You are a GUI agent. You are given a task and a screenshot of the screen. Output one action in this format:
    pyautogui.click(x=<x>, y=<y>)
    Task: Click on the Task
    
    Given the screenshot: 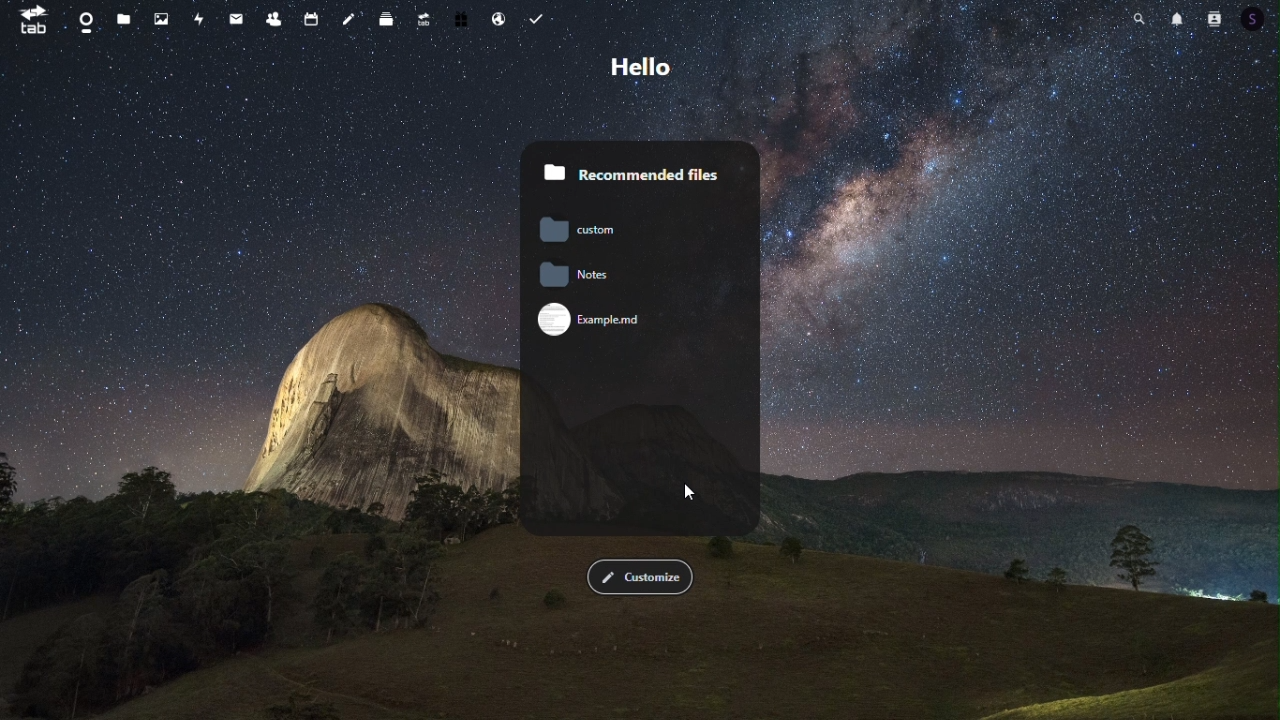 What is the action you would take?
    pyautogui.click(x=543, y=21)
    